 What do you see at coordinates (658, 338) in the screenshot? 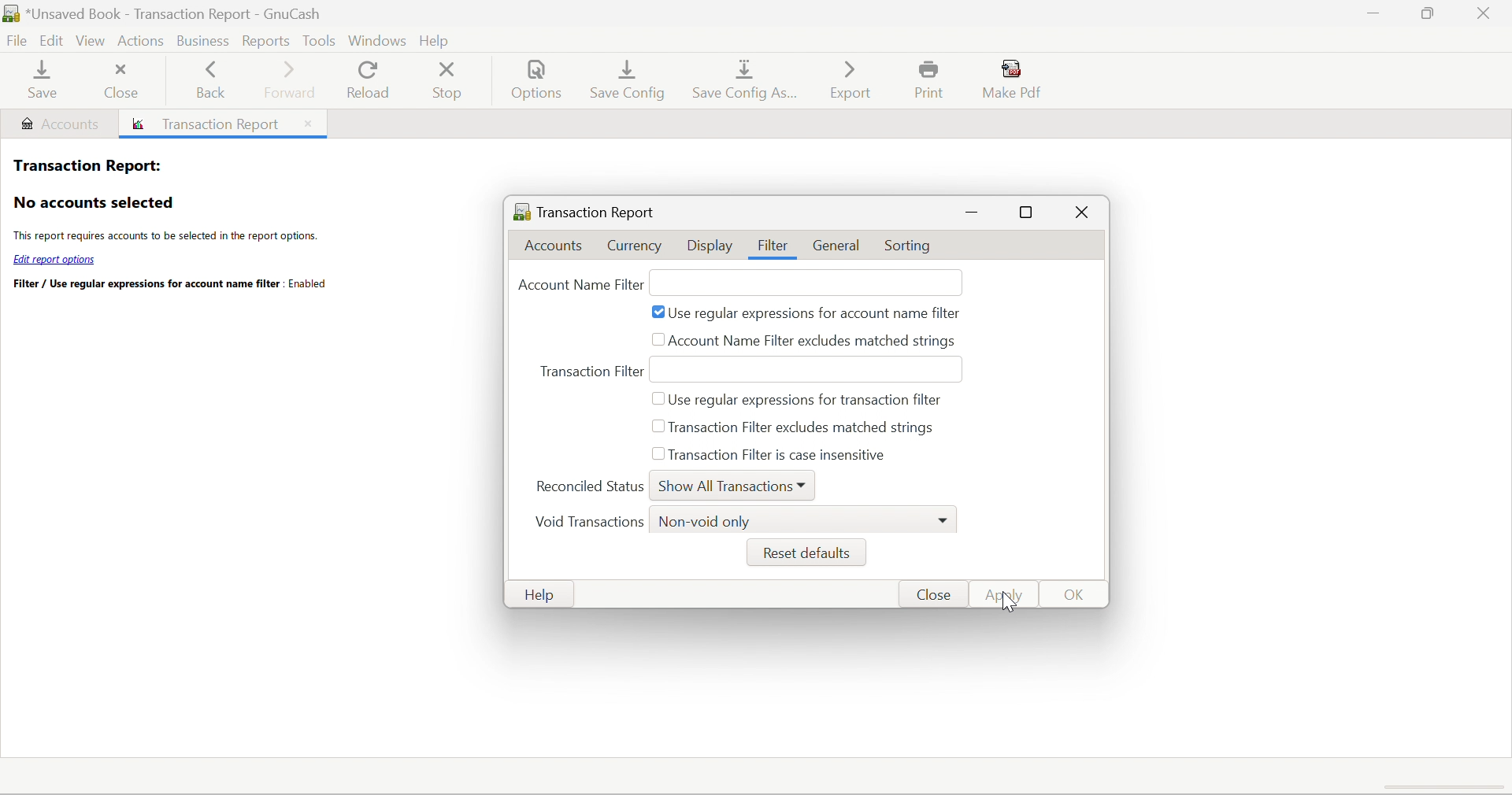
I see `checkbox` at bounding box center [658, 338].